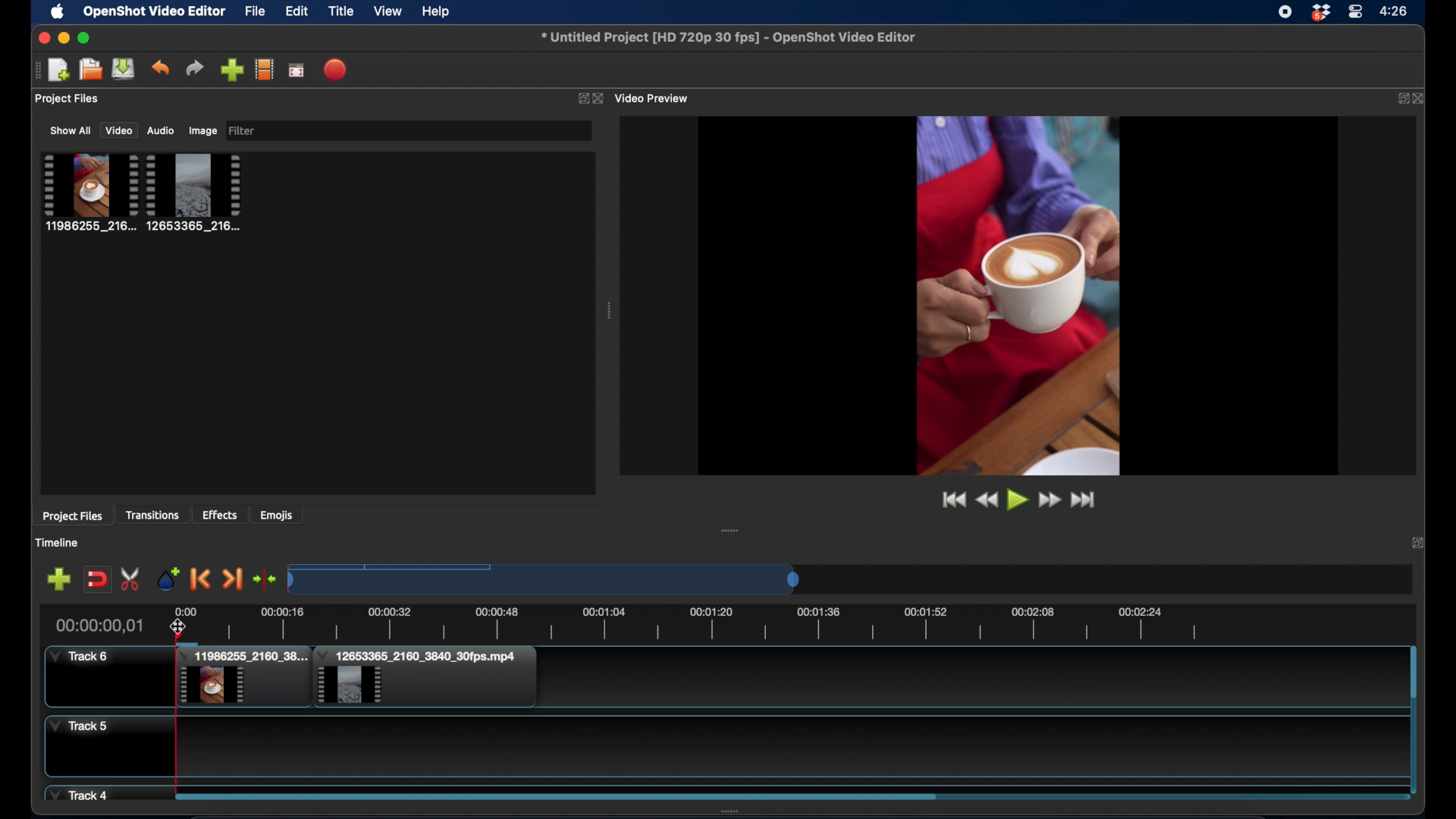 This screenshot has height=819, width=1456. Describe the element at coordinates (1086, 500) in the screenshot. I see `jump to end` at that location.